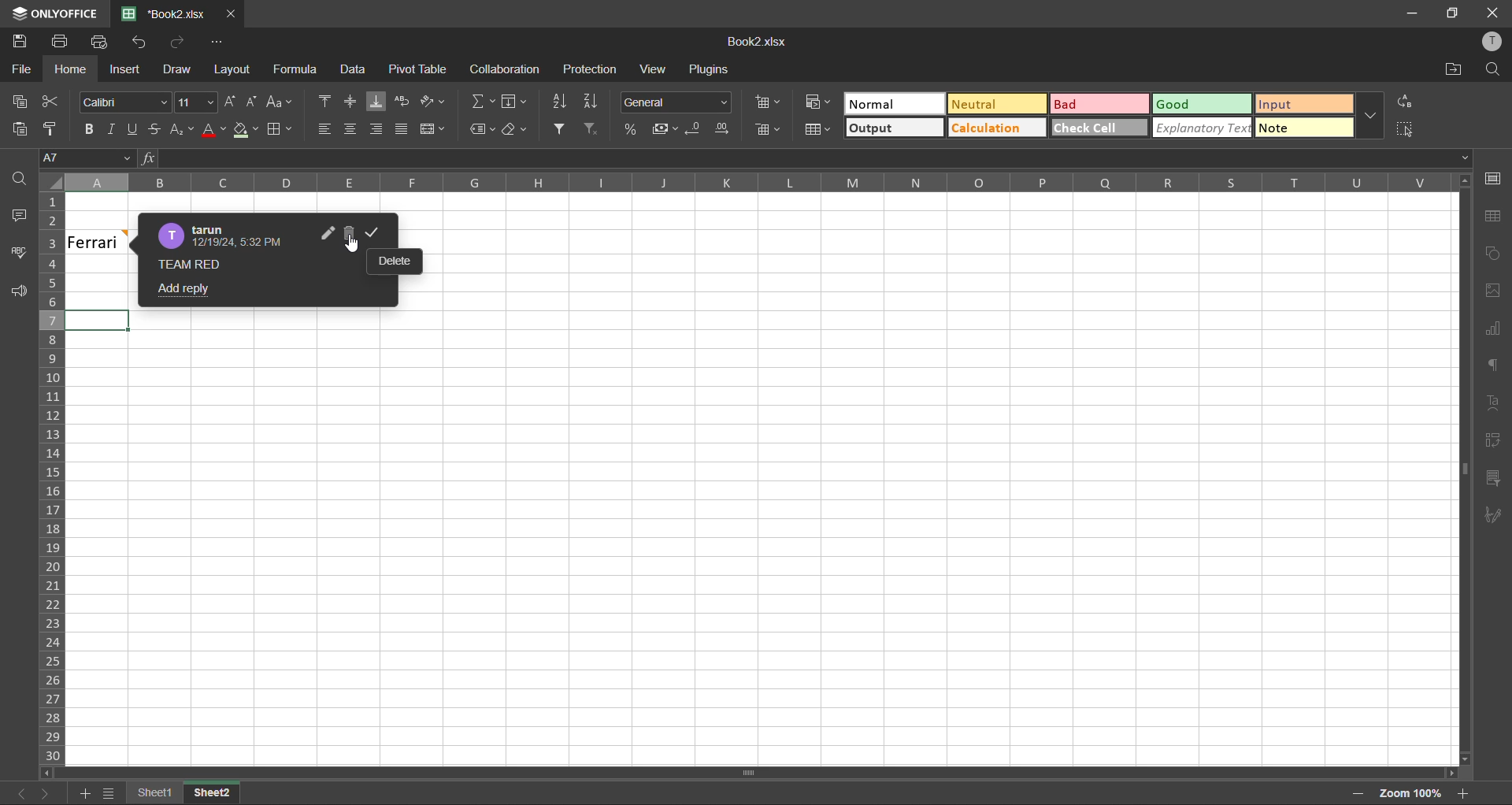 This screenshot has width=1512, height=805. Describe the element at coordinates (1098, 129) in the screenshot. I see `check cell` at that location.